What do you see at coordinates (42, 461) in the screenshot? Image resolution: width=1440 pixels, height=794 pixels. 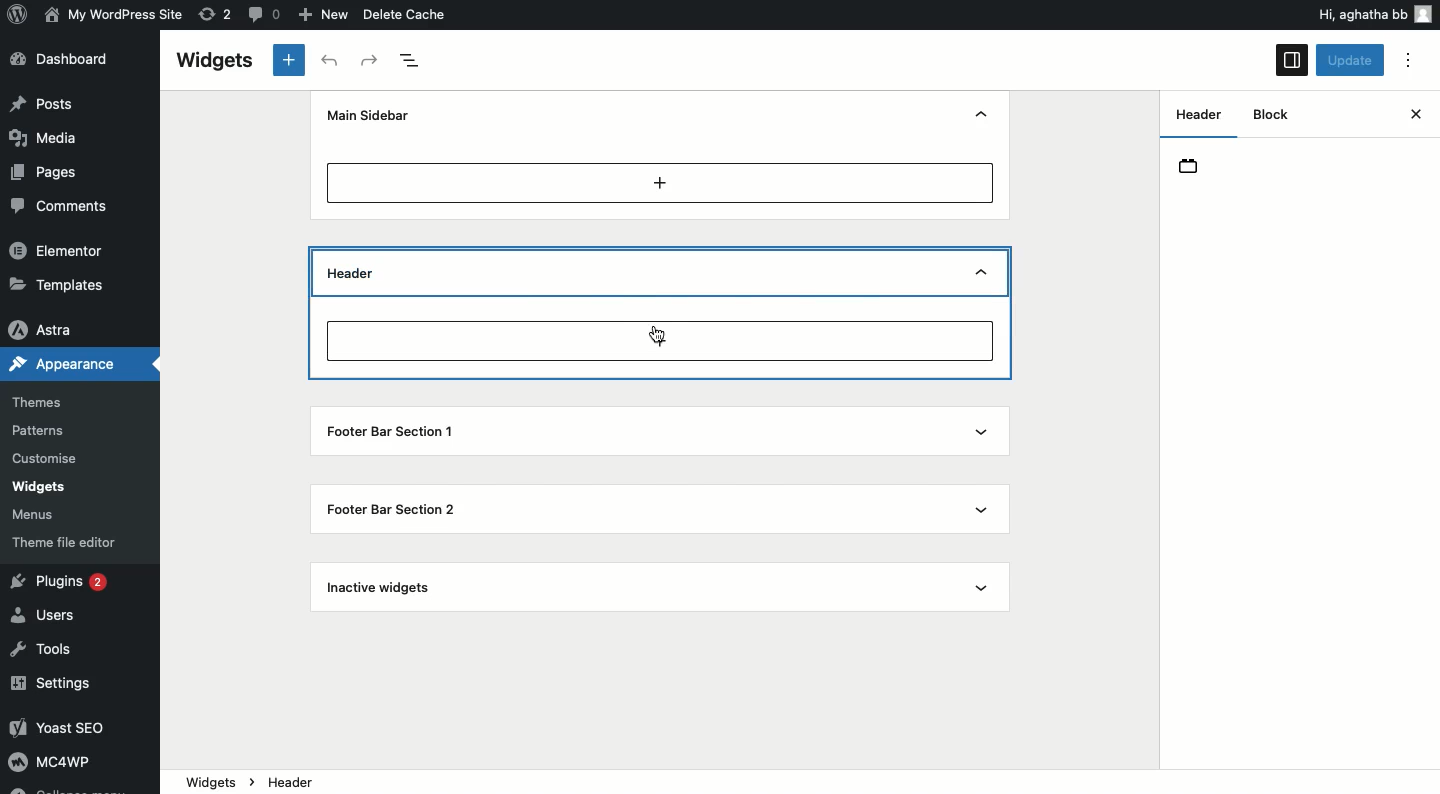 I see `Customise` at bounding box center [42, 461].